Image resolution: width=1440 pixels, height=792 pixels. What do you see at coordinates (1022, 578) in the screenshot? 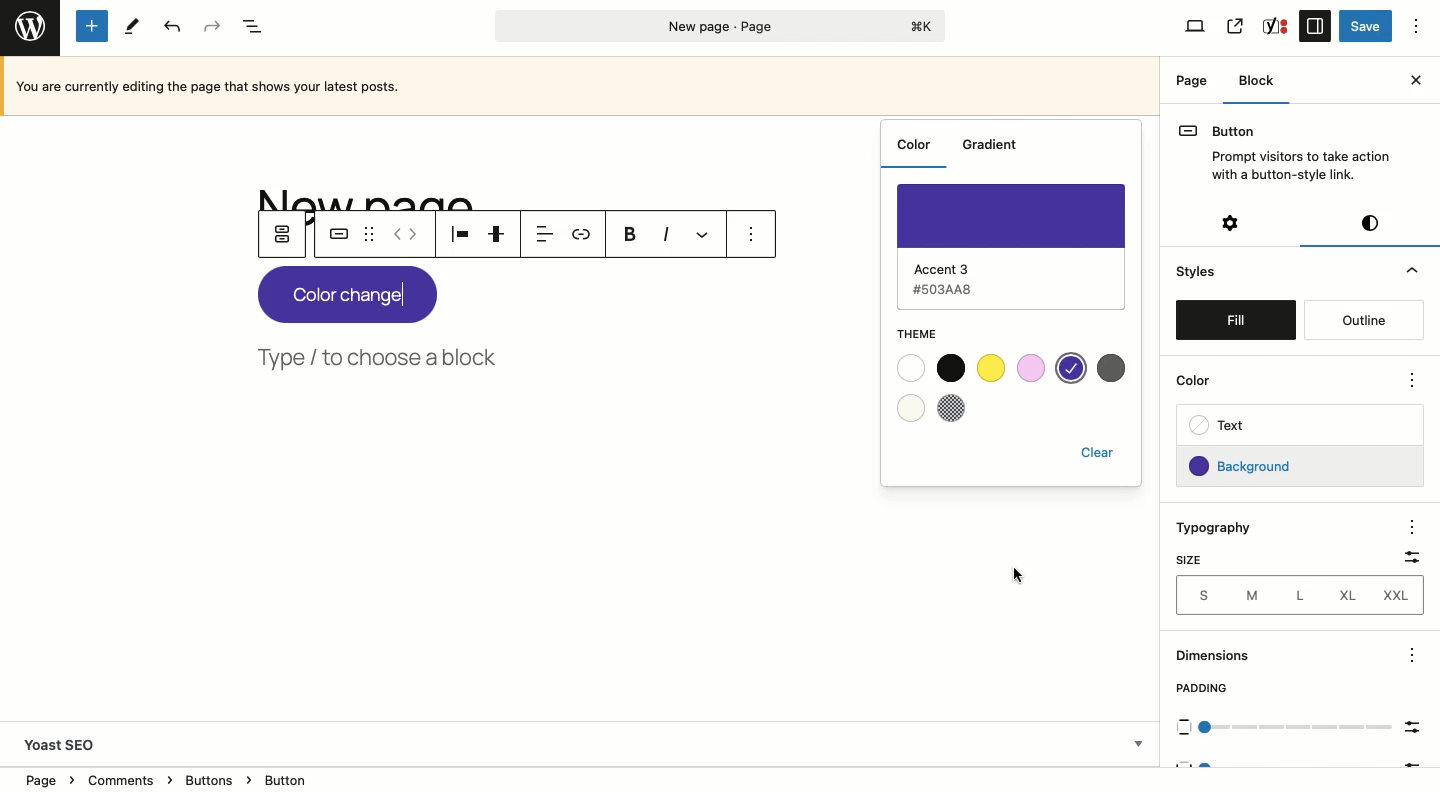
I see `cursor` at bounding box center [1022, 578].